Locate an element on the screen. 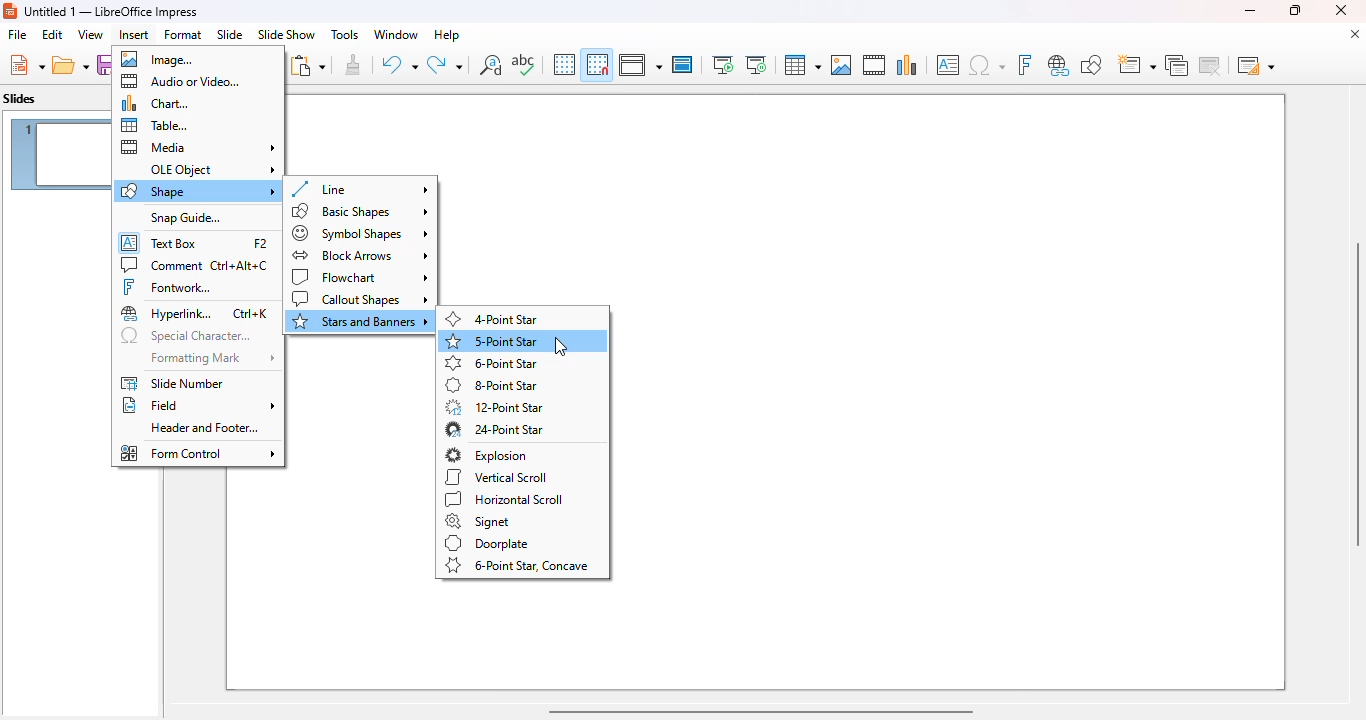 The image size is (1366, 720). explosion is located at coordinates (487, 455).